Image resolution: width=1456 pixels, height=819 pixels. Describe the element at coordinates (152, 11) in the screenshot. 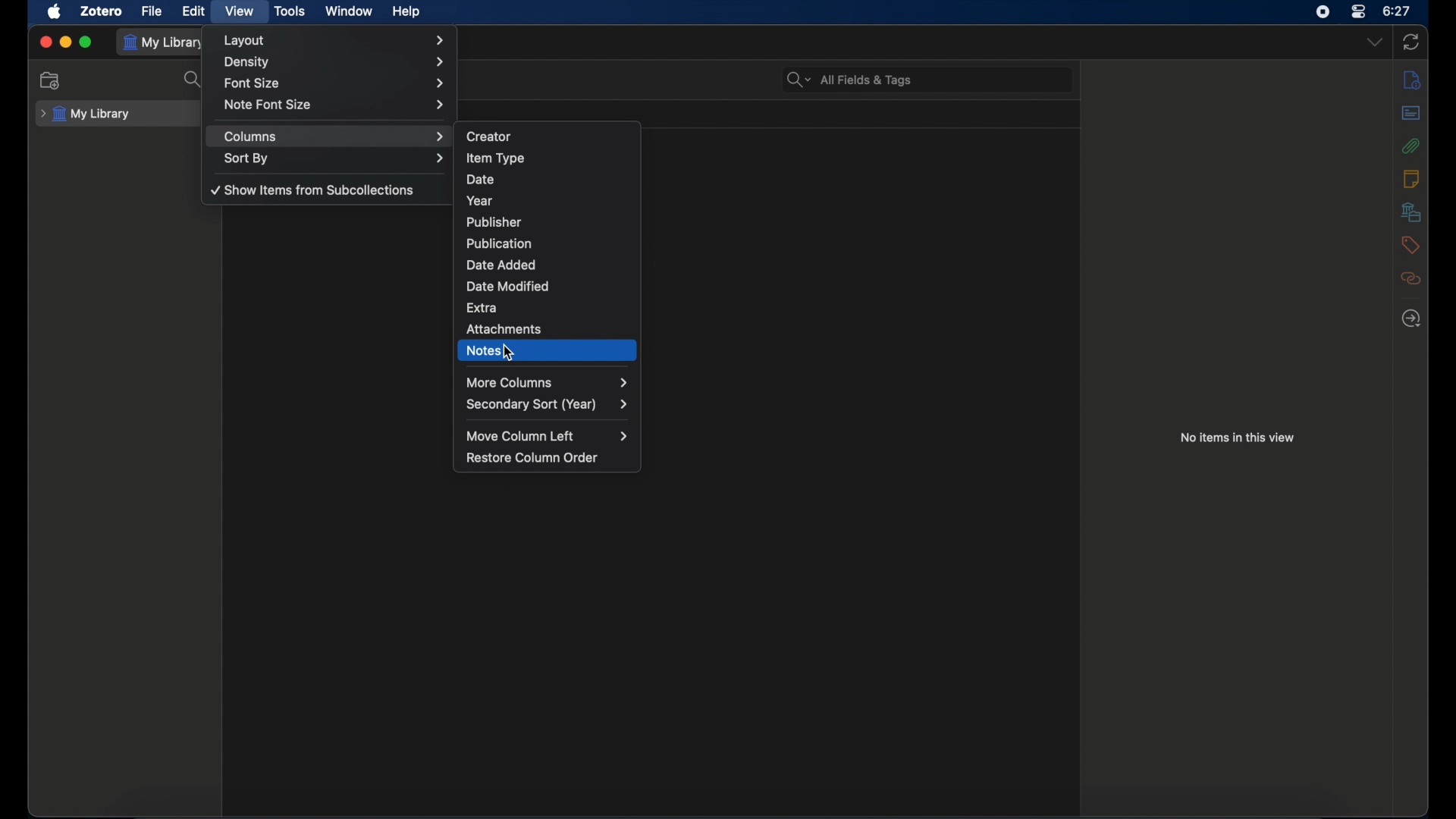

I see `file` at that location.